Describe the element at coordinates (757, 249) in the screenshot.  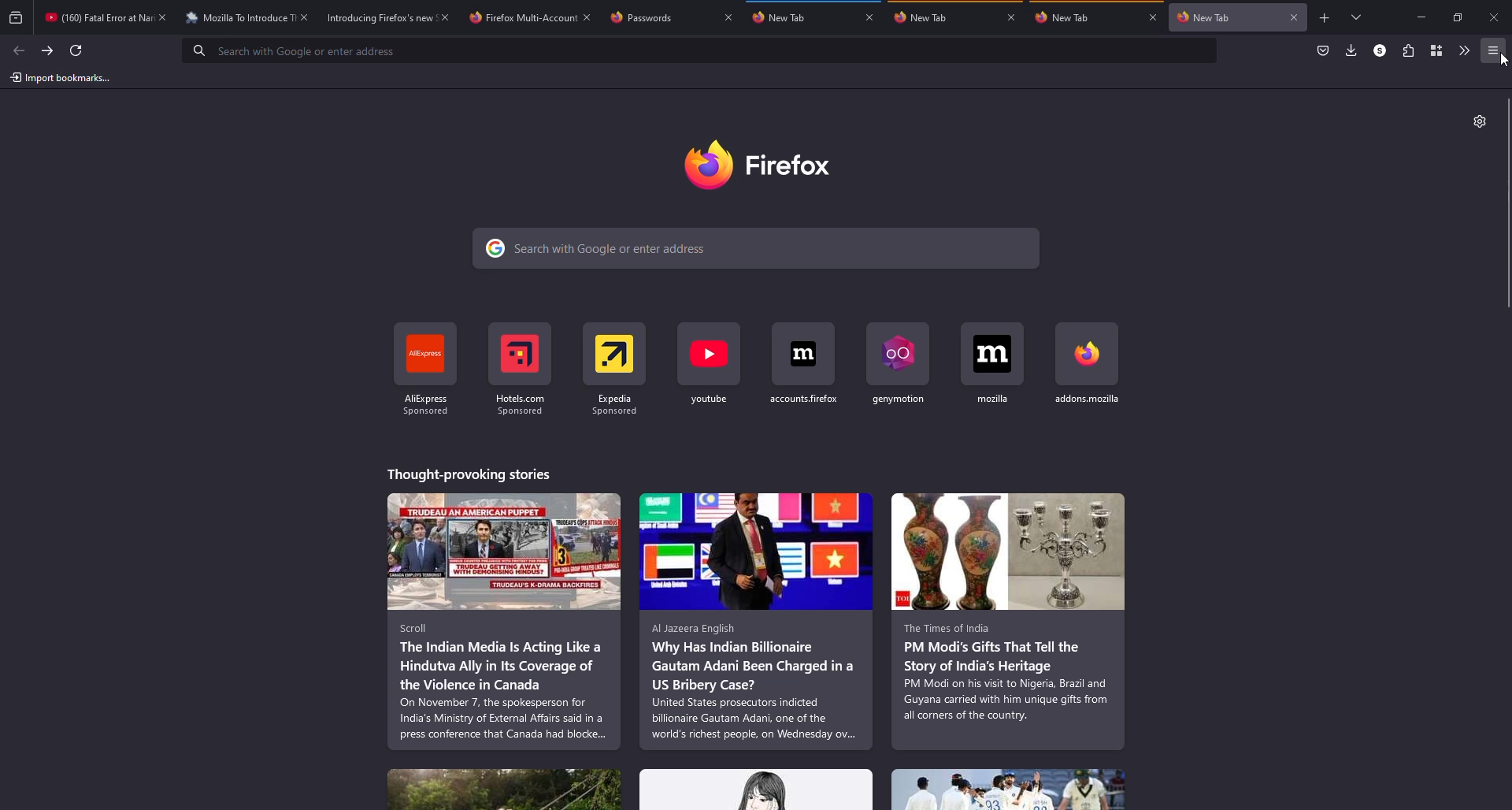
I see `search` at that location.